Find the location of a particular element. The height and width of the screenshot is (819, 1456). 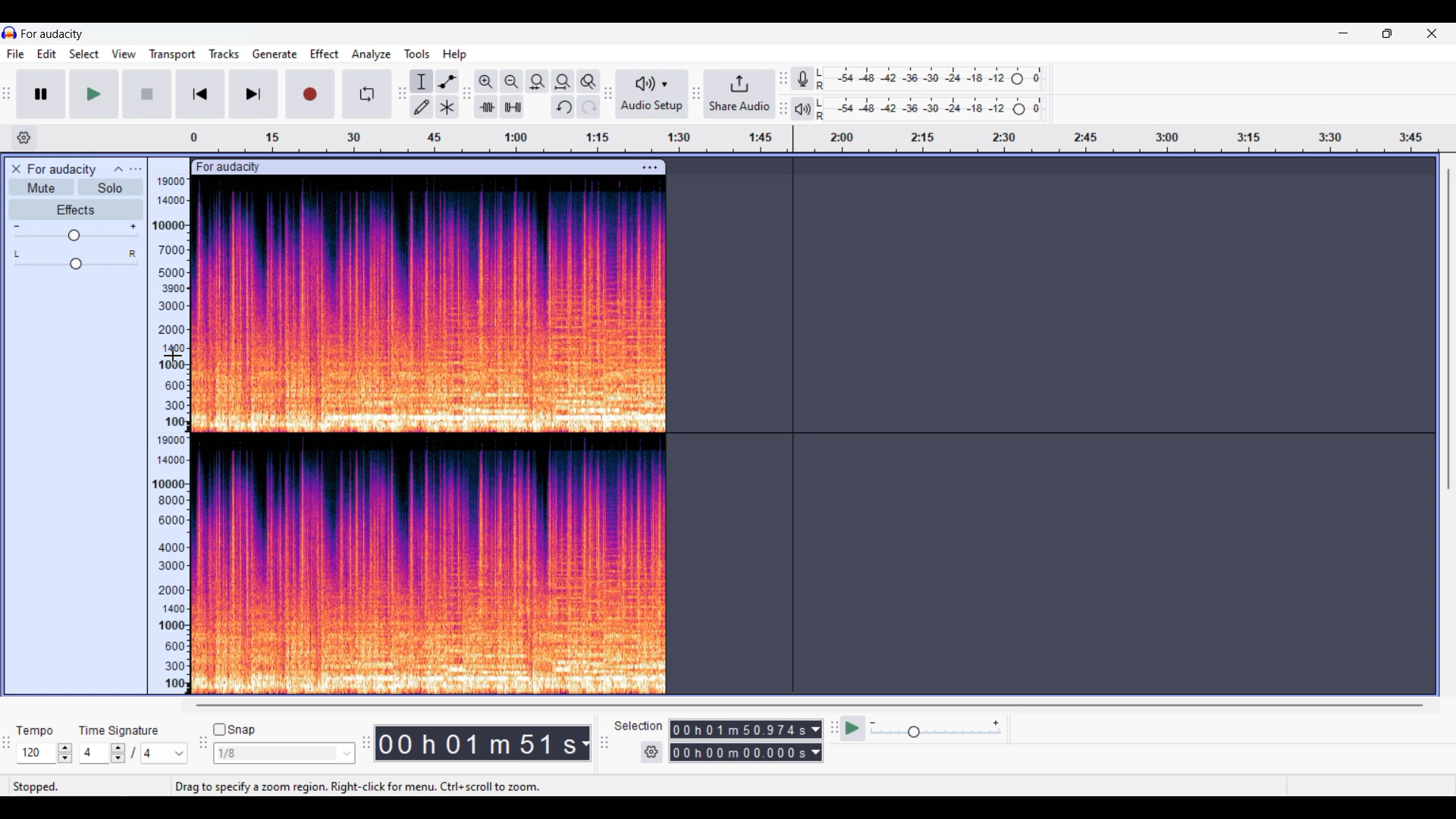

Select menu is located at coordinates (84, 53).